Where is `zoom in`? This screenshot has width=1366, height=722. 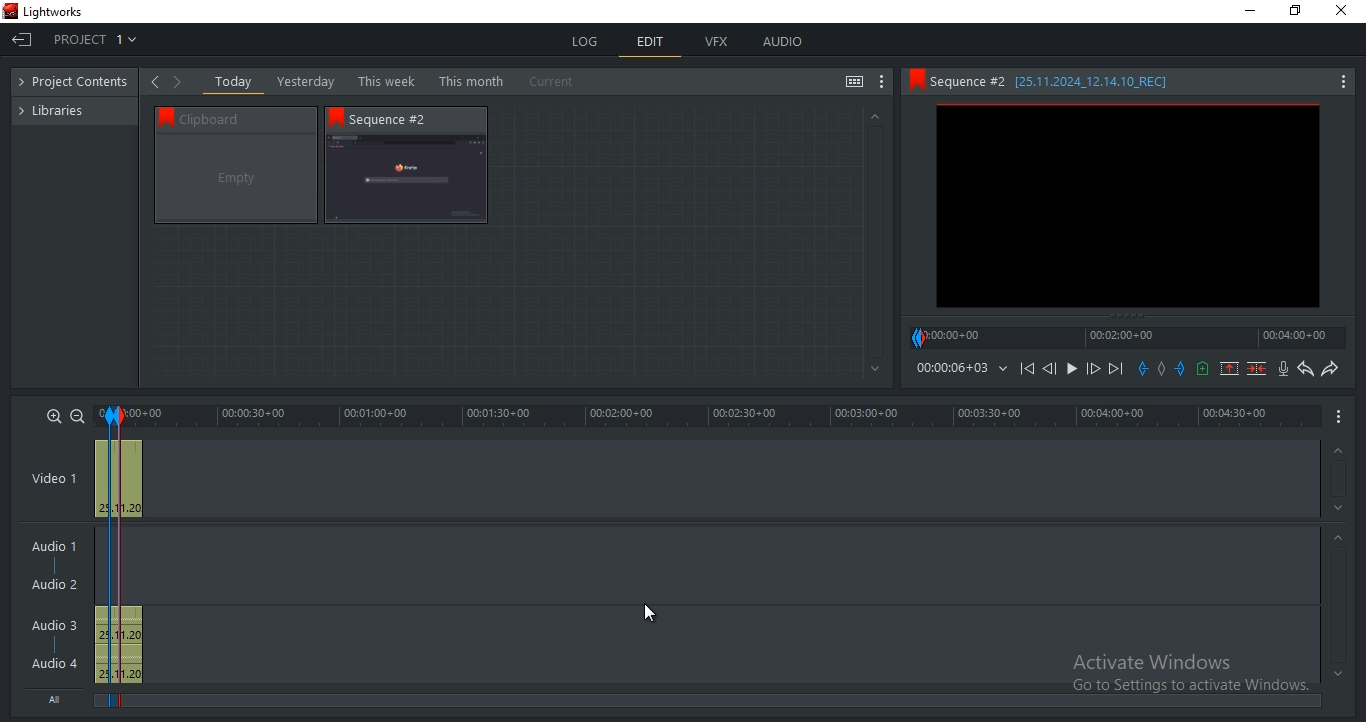
zoom in is located at coordinates (54, 415).